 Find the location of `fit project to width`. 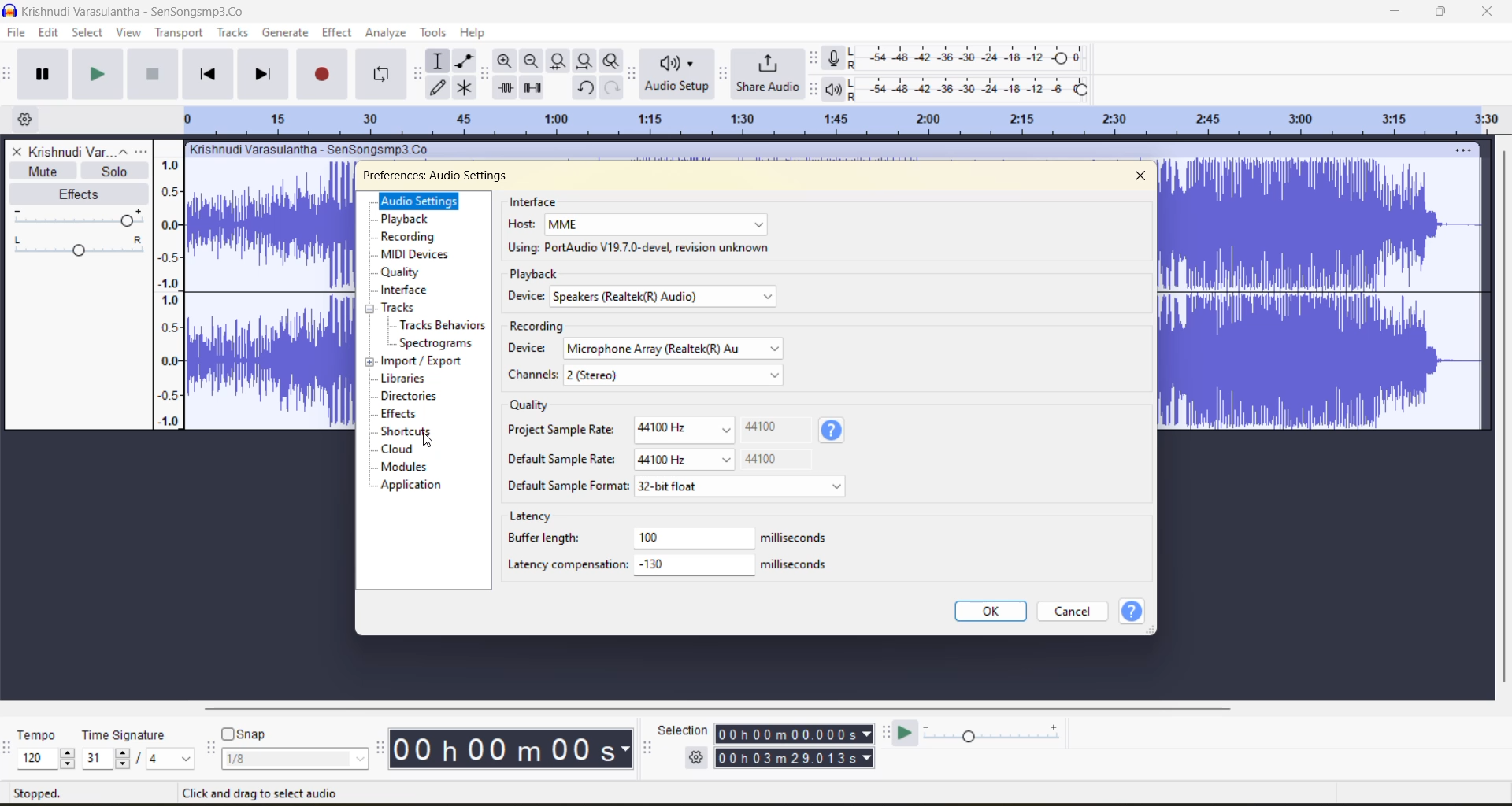

fit project to width is located at coordinates (585, 61).